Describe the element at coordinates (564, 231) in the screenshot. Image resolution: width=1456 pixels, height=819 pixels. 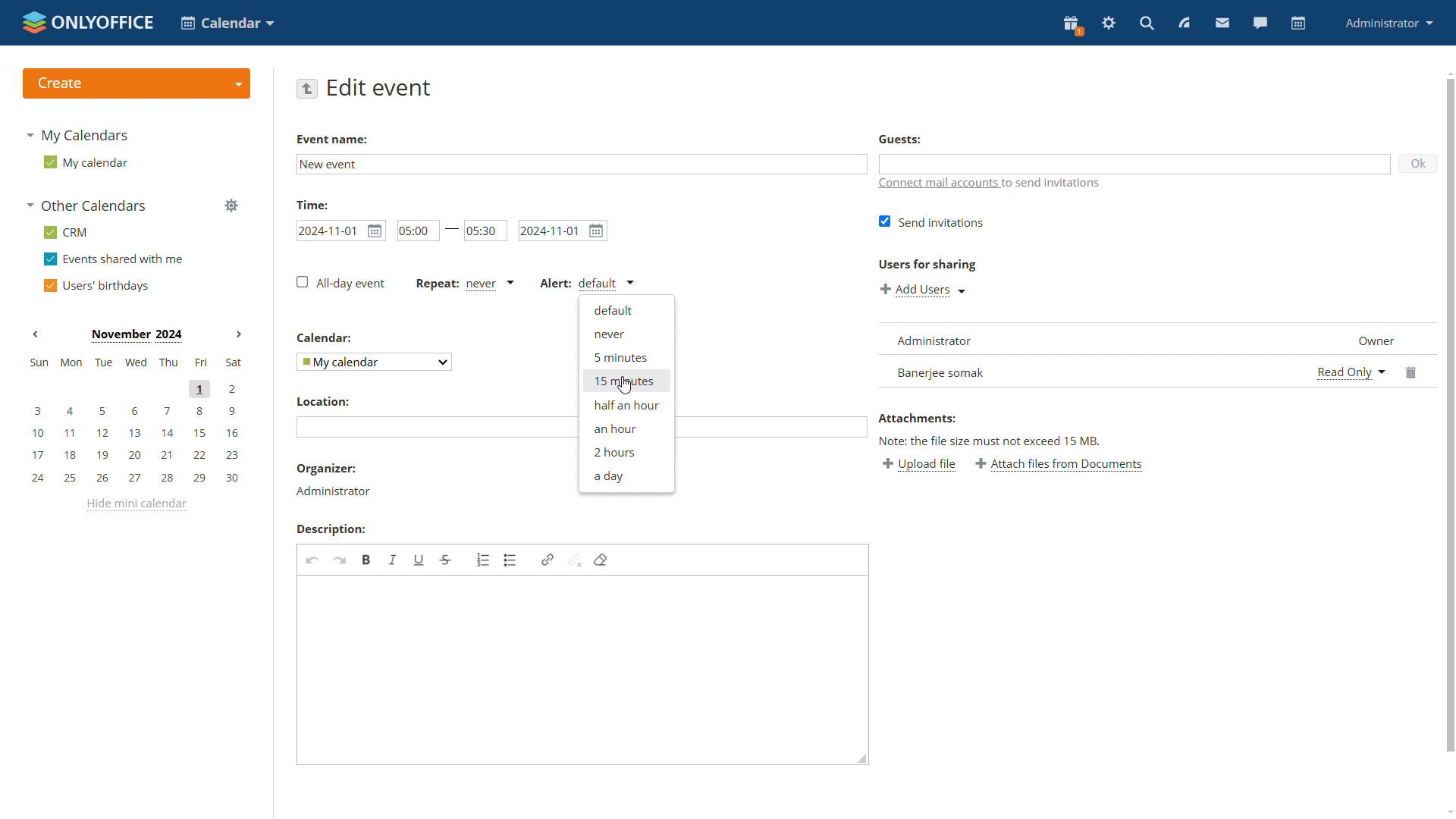
I see `end date` at that location.